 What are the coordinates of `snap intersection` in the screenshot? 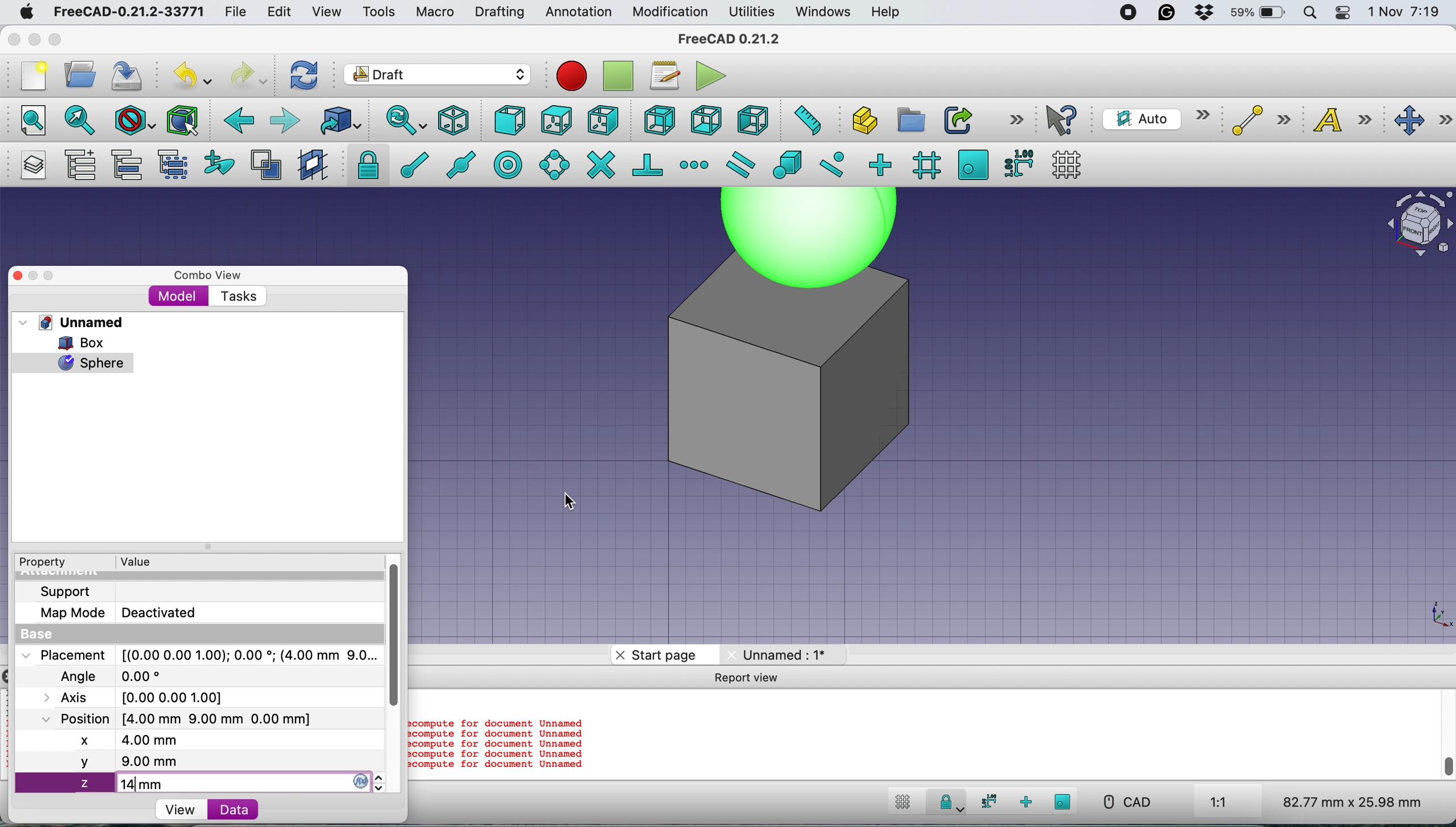 It's located at (600, 164).